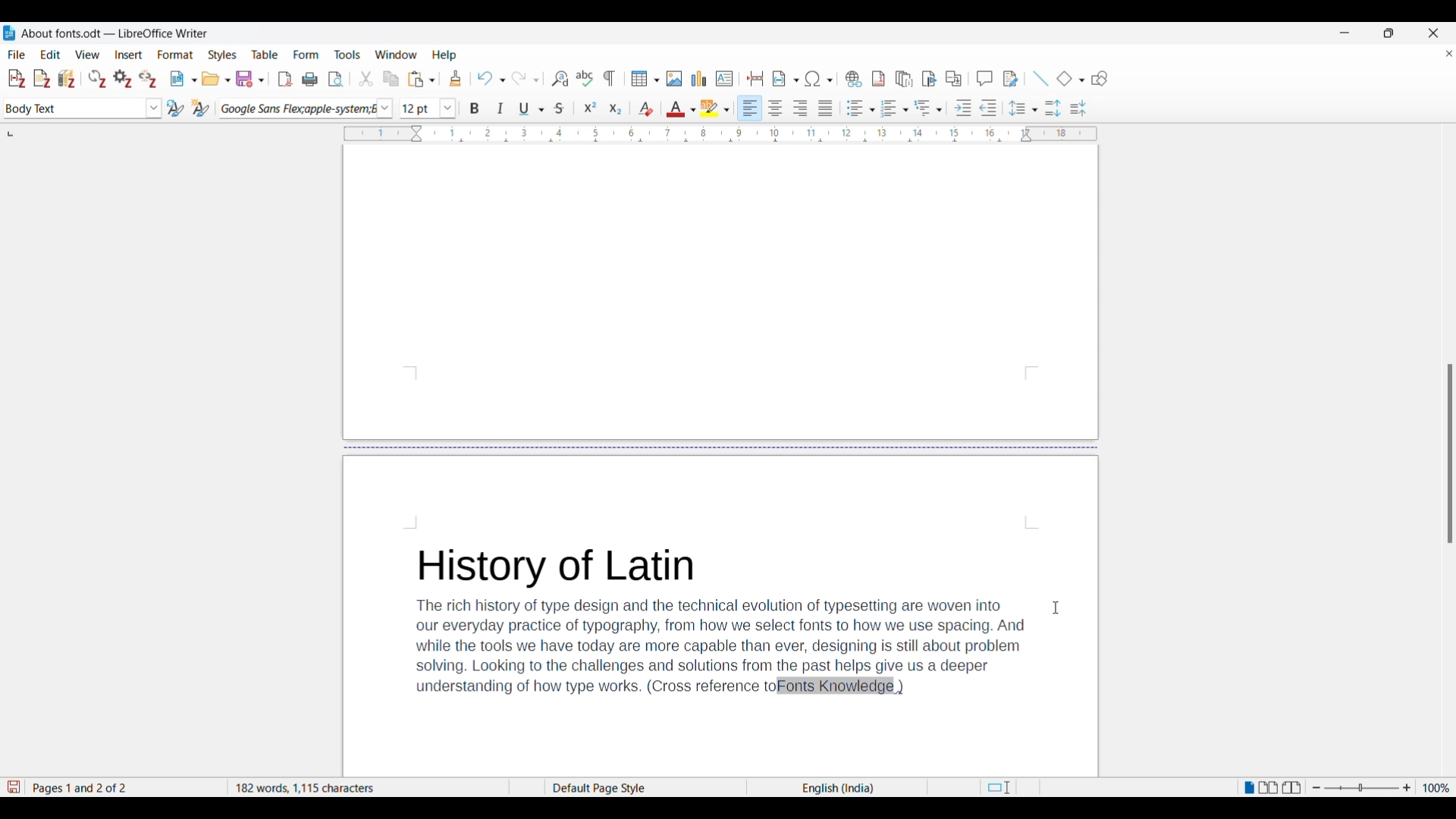 The width and height of the screenshot is (1456, 819). Describe the element at coordinates (756, 78) in the screenshot. I see `Insert page break` at that location.